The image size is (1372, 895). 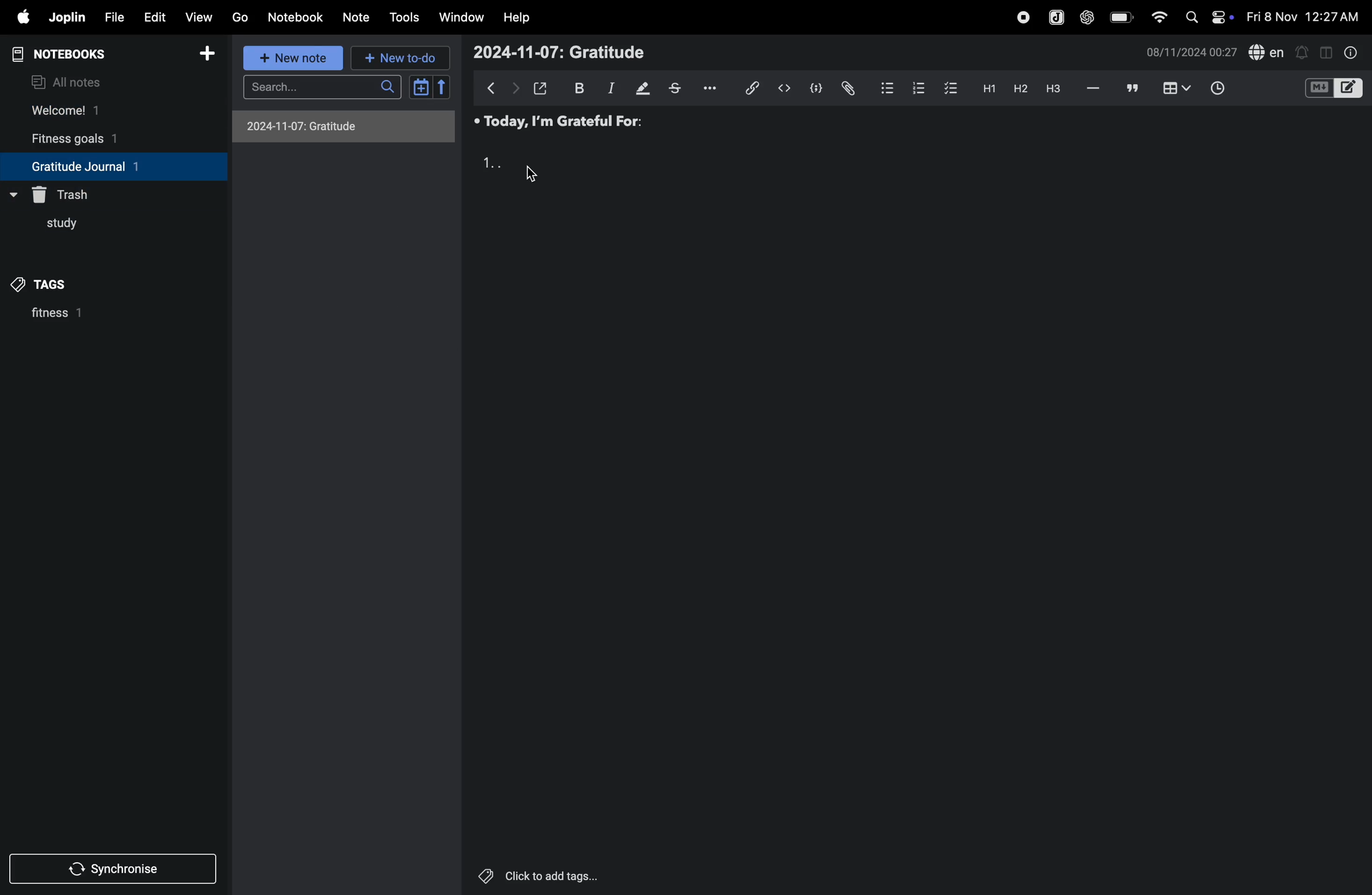 What do you see at coordinates (1056, 18) in the screenshot?
I see `joplin menu` at bounding box center [1056, 18].